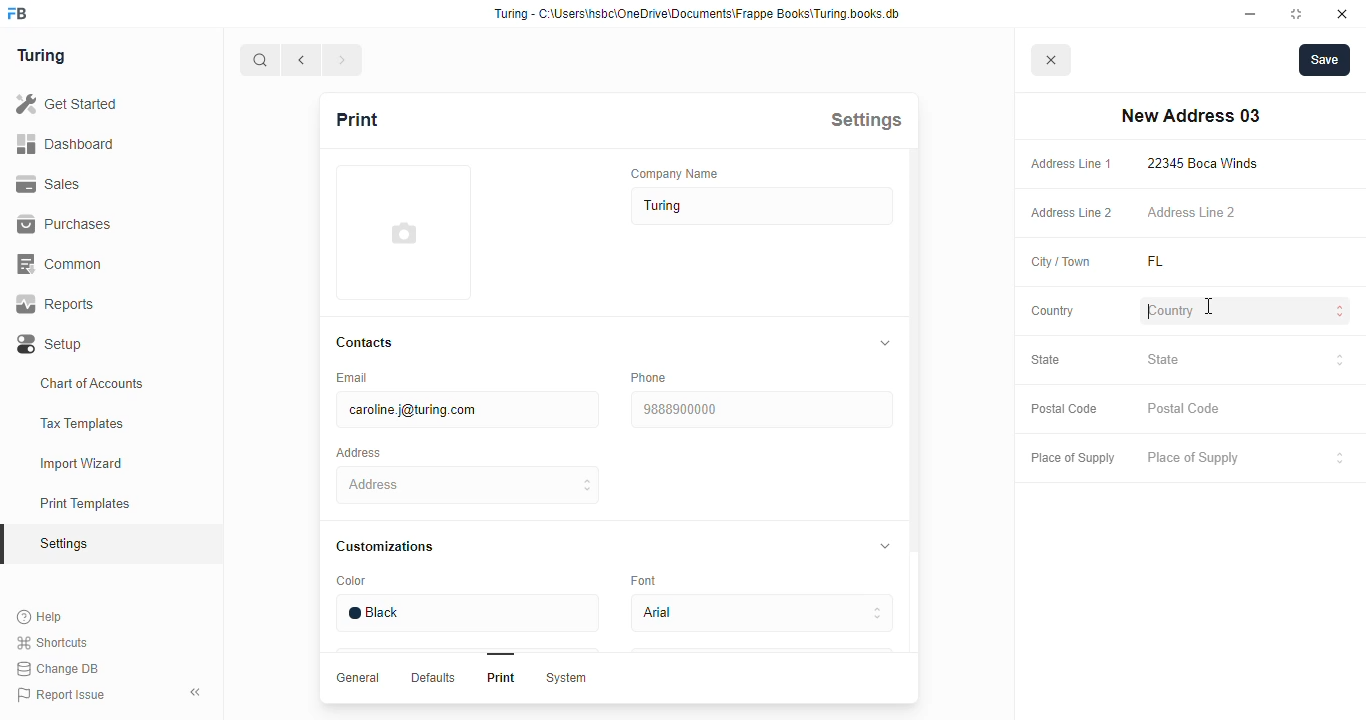 This screenshot has height=720, width=1366. What do you see at coordinates (57, 669) in the screenshot?
I see `change DB` at bounding box center [57, 669].